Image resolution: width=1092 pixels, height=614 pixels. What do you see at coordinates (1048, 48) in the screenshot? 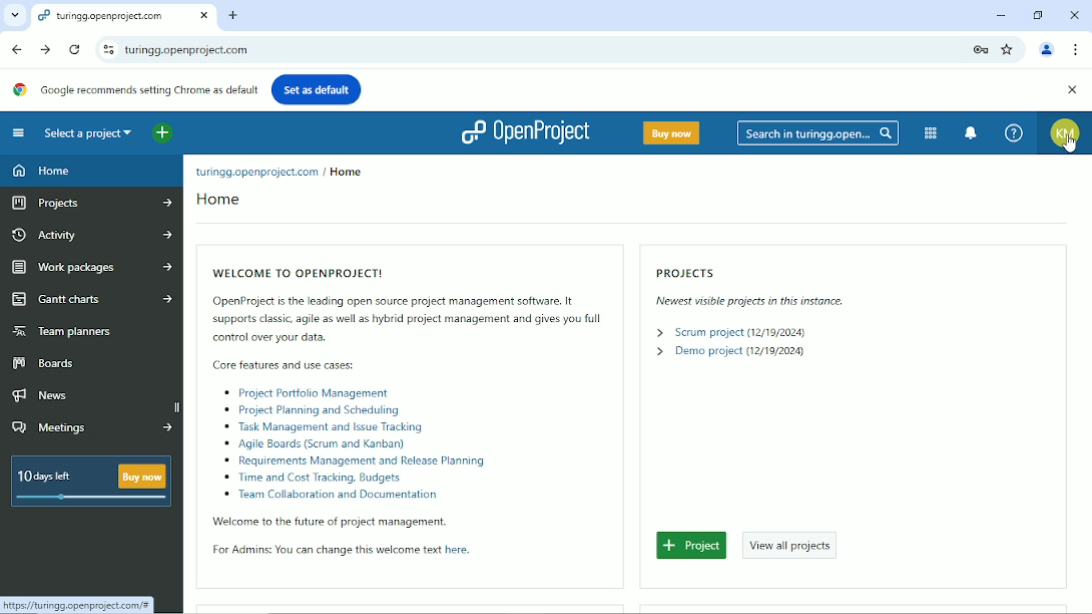
I see `Account` at bounding box center [1048, 48].